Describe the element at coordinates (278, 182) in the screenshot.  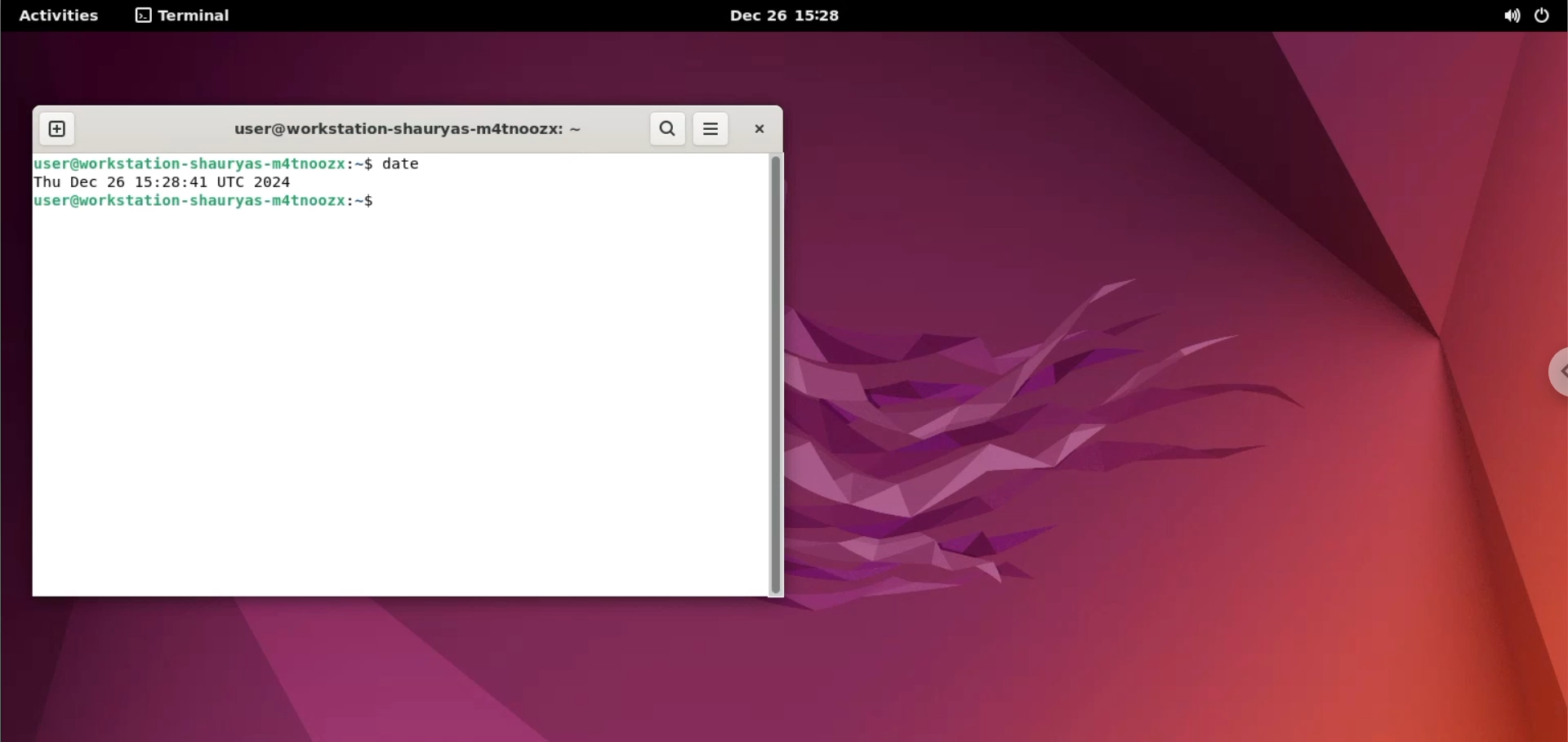
I see `2024` at that location.